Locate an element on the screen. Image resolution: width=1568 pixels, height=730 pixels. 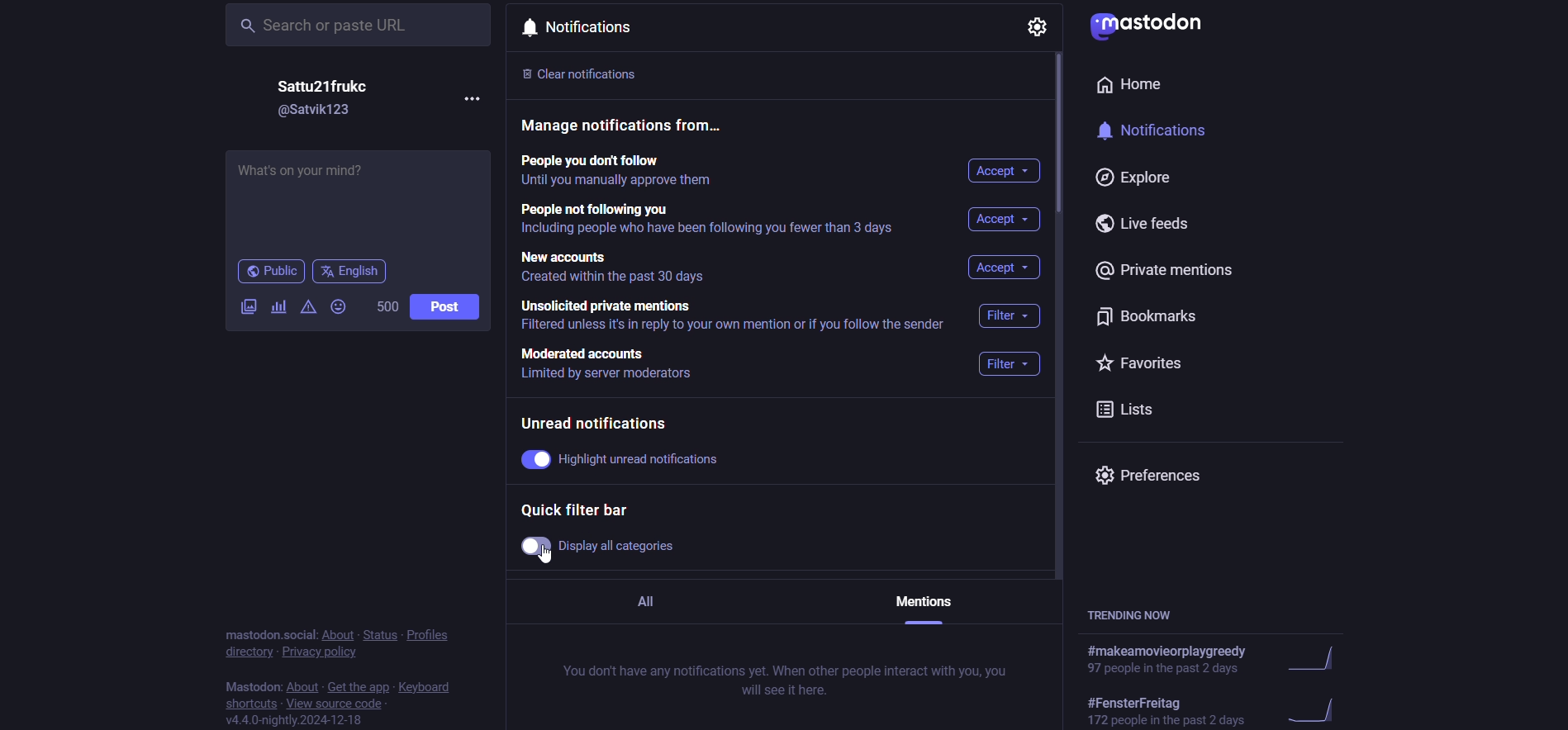
Manage notifications from... is located at coordinates (631, 127).